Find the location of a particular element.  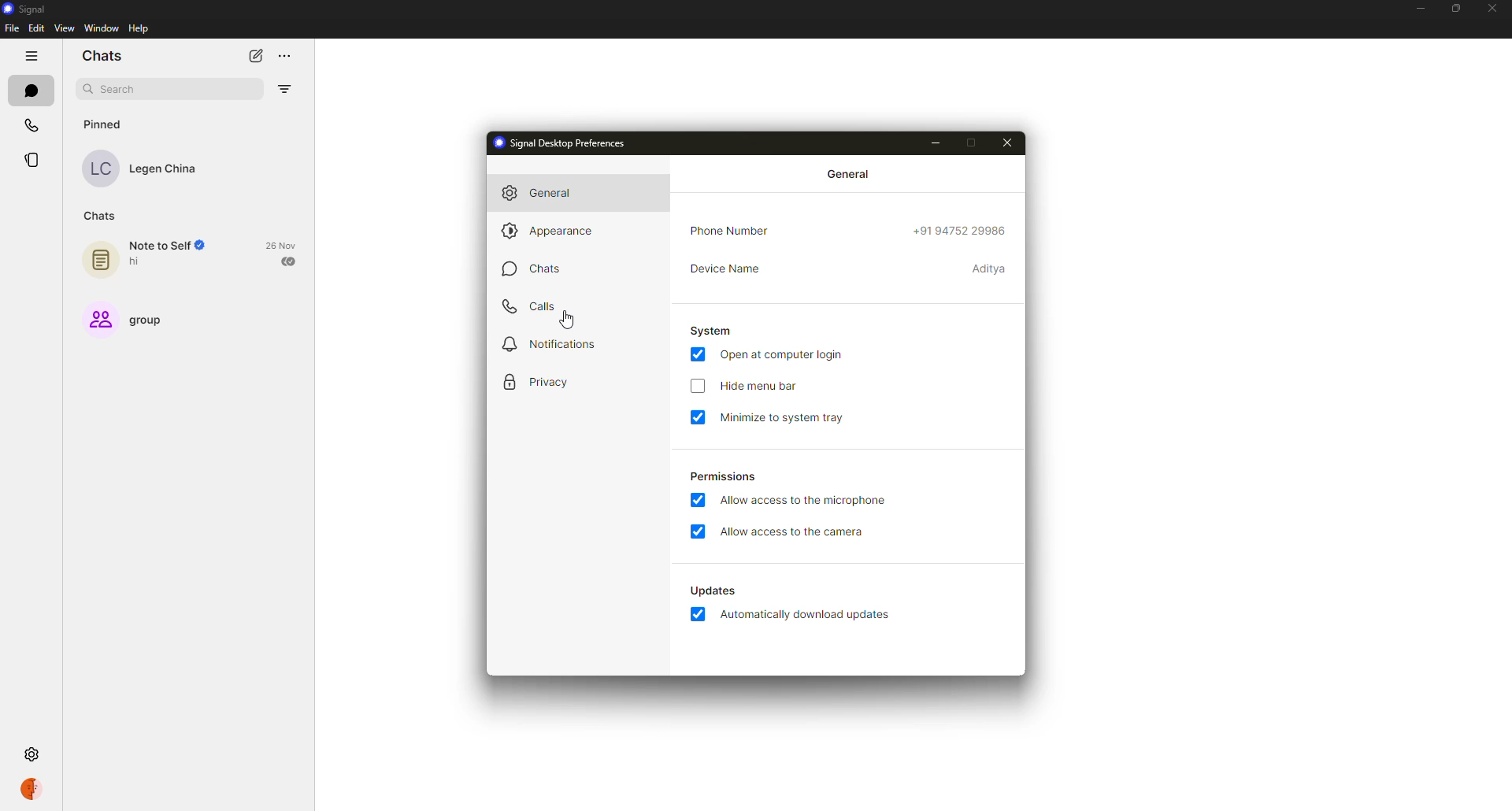

maximize is located at coordinates (974, 142).